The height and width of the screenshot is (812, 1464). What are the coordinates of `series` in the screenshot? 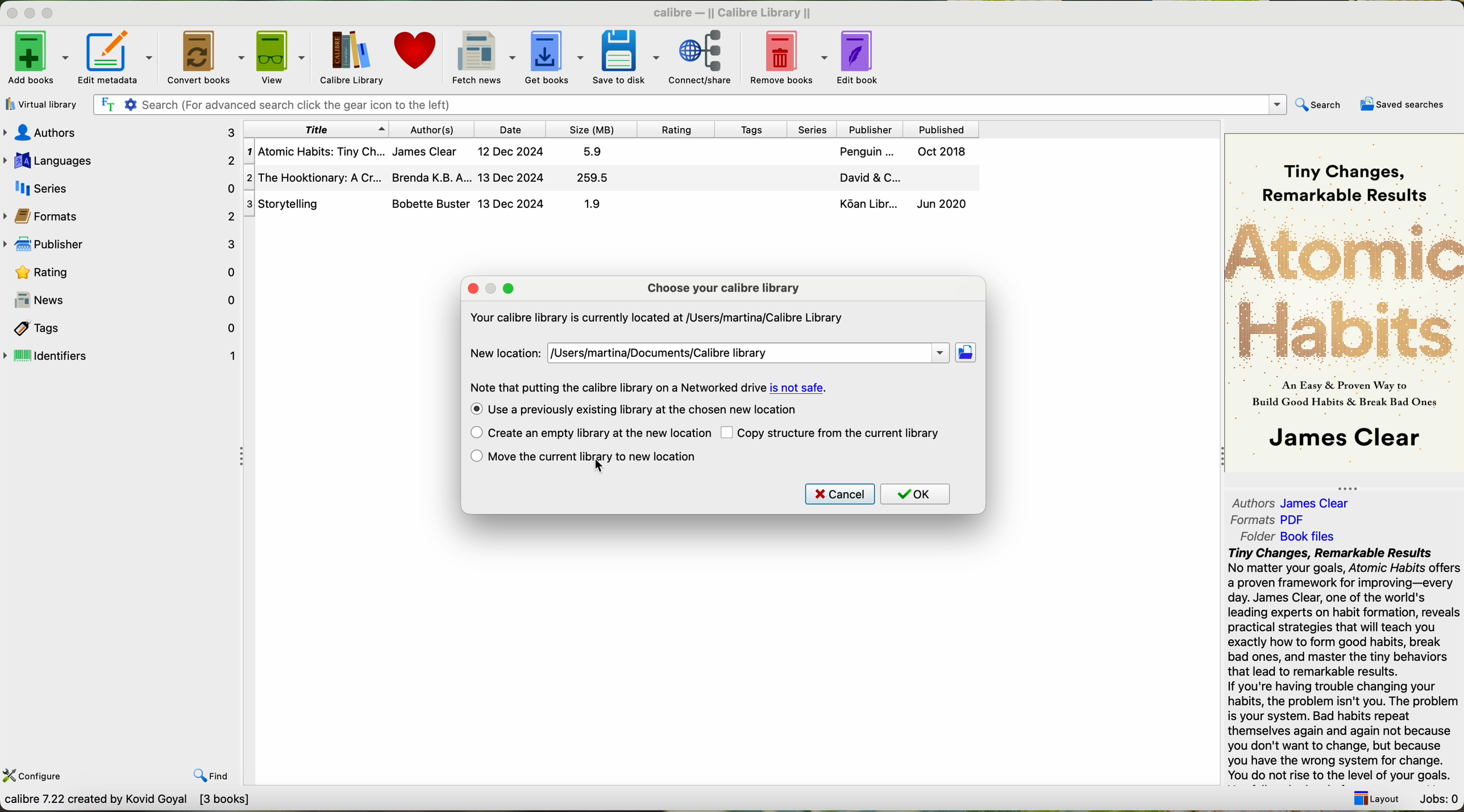 It's located at (121, 188).